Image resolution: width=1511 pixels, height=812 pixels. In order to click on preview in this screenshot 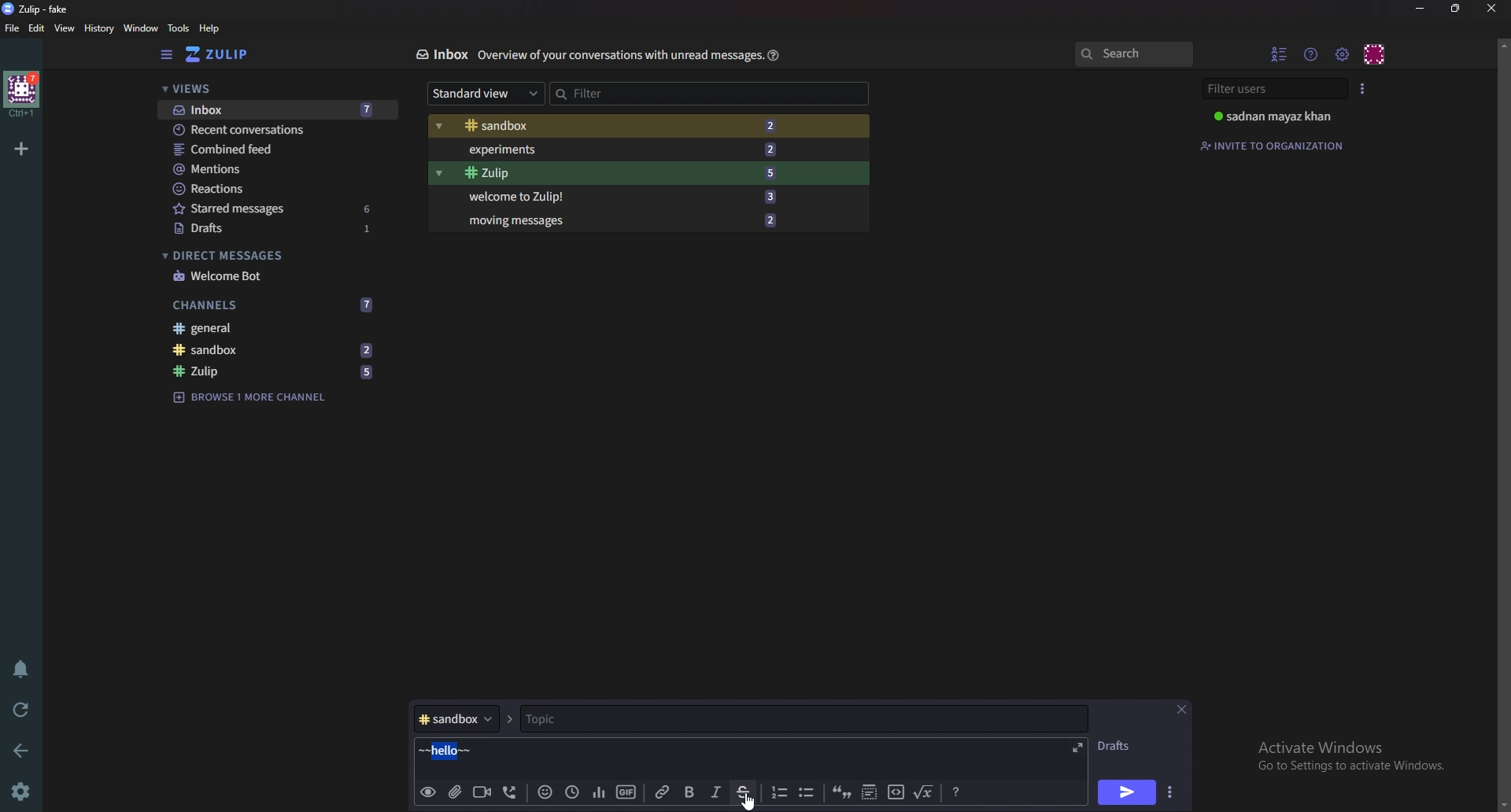, I will do `click(428, 794)`.